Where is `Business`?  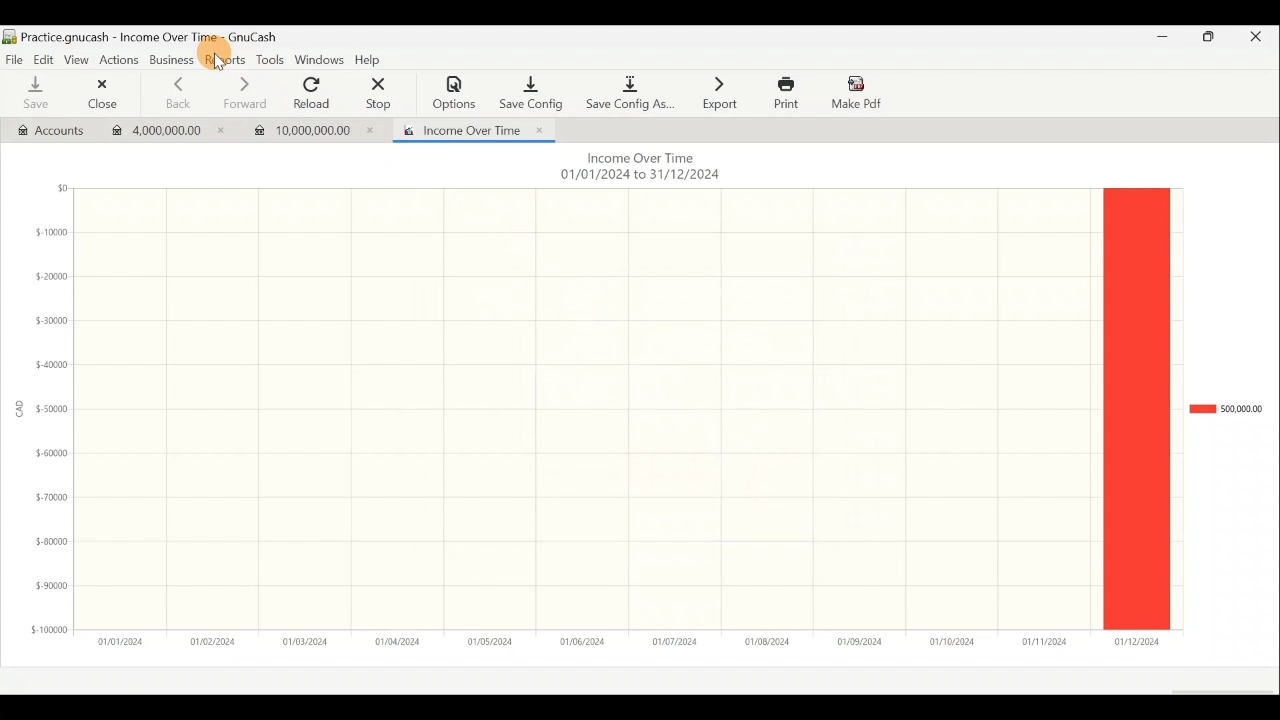 Business is located at coordinates (172, 61).